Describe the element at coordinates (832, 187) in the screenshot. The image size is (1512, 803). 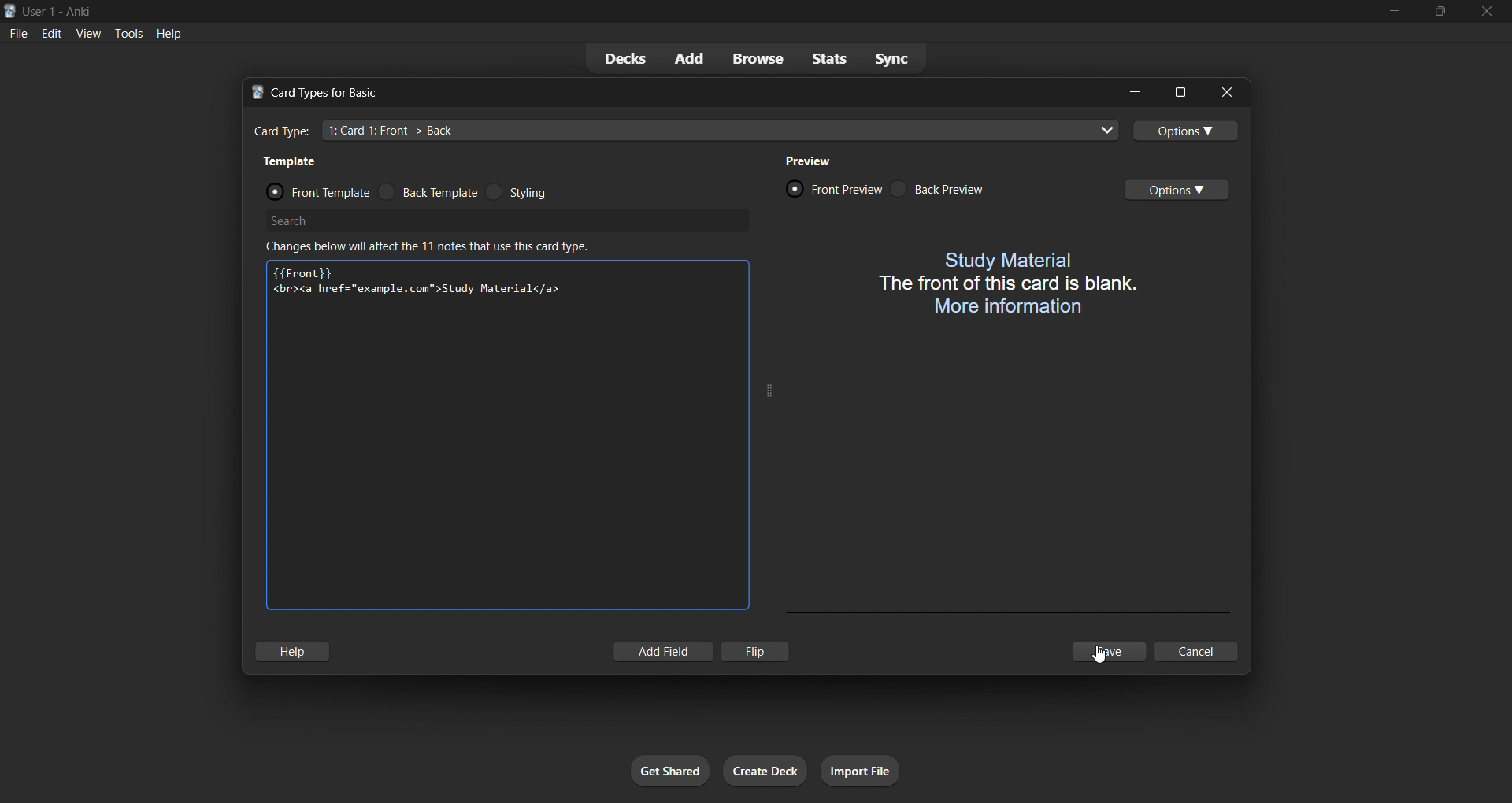
I see `front preview` at that location.